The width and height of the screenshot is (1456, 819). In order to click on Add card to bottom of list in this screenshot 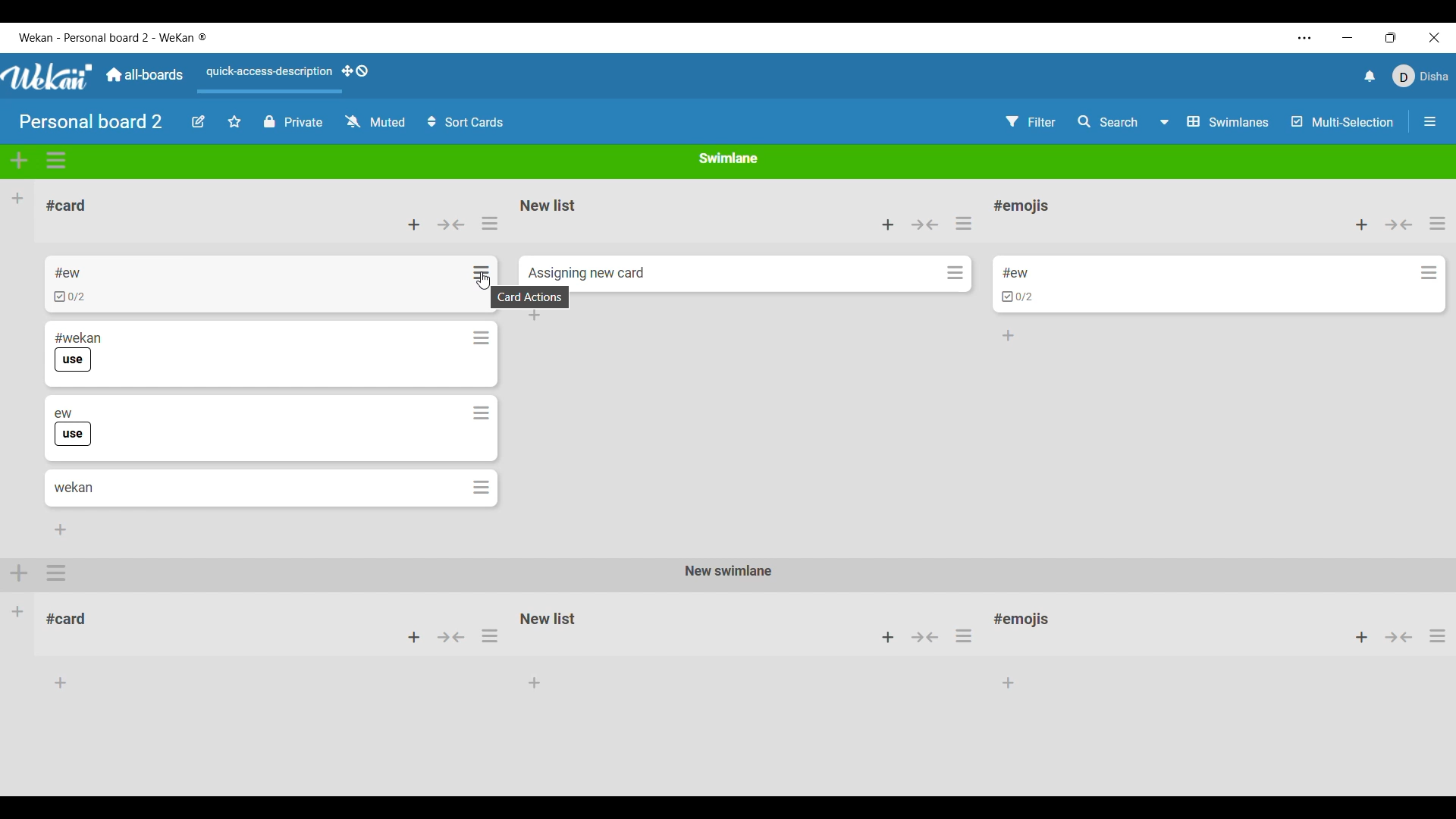, I will do `click(535, 315)`.